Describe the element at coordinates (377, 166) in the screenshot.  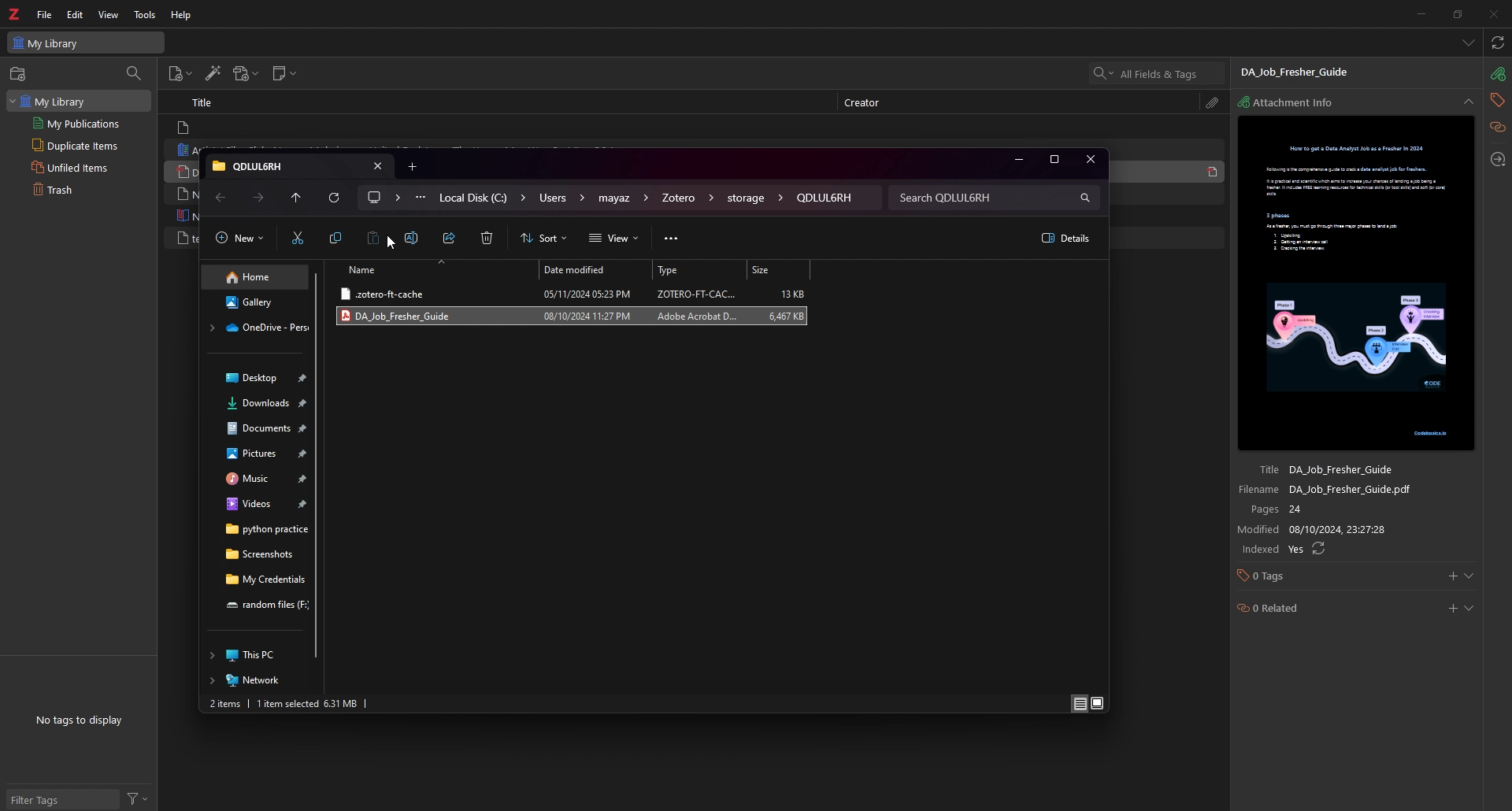
I see `close tab` at that location.